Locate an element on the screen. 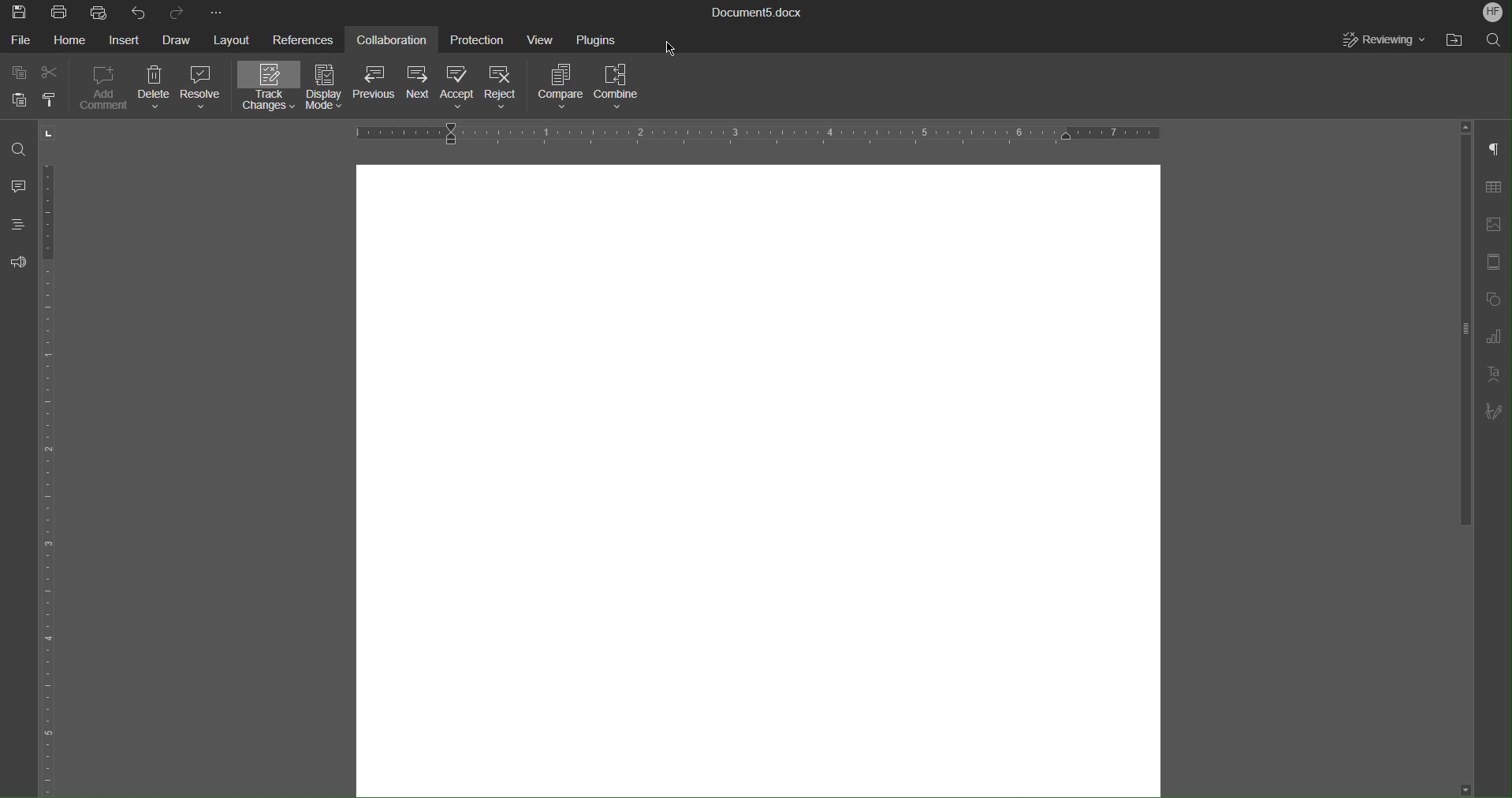 This screenshot has width=1512, height=798. Reviewing is located at coordinates (1378, 42).